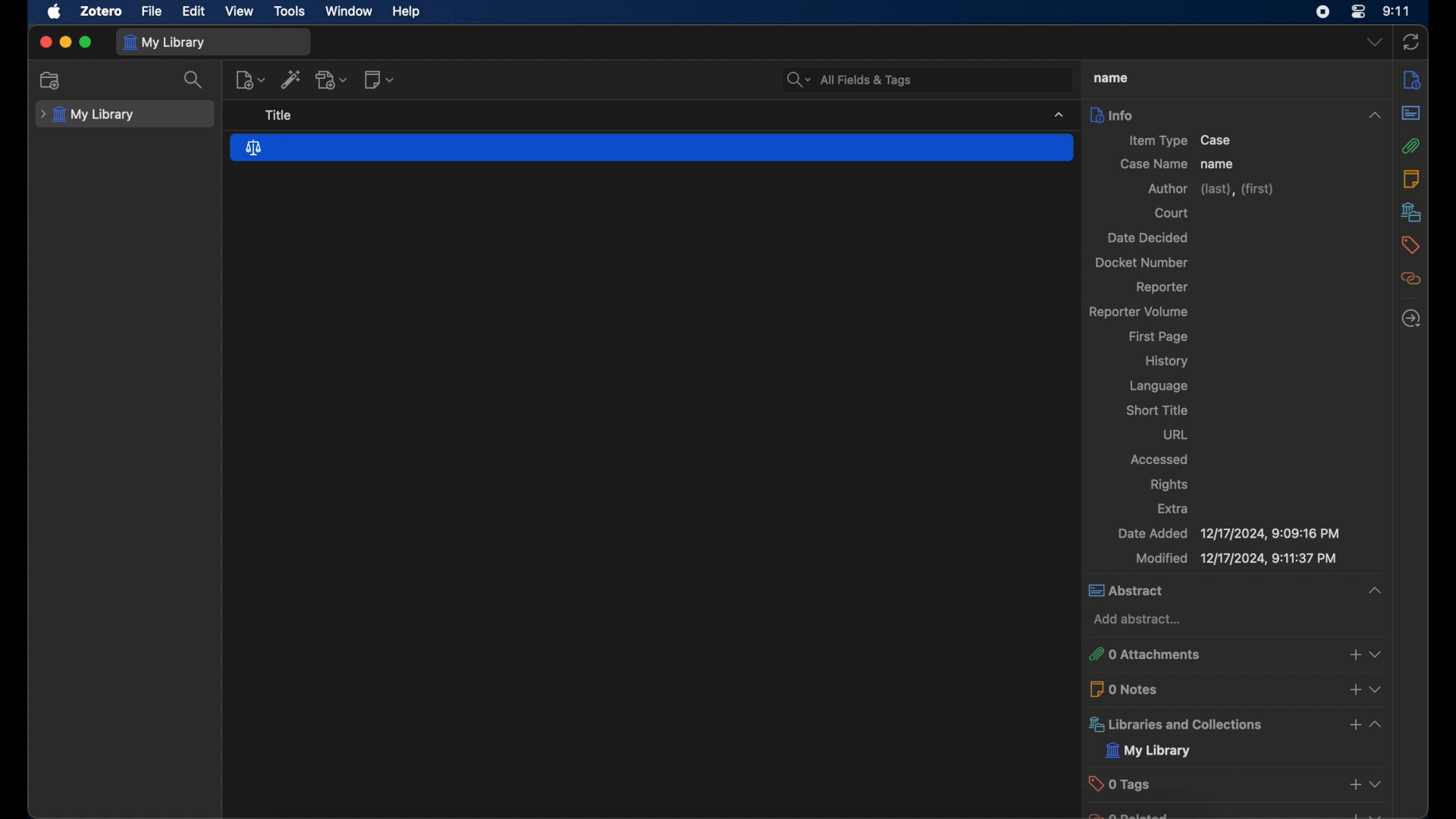 Image resolution: width=1456 pixels, height=819 pixels. What do you see at coordinates (164, 42) in the screenshot?
I see `my library` at bounding box center [164, 42].